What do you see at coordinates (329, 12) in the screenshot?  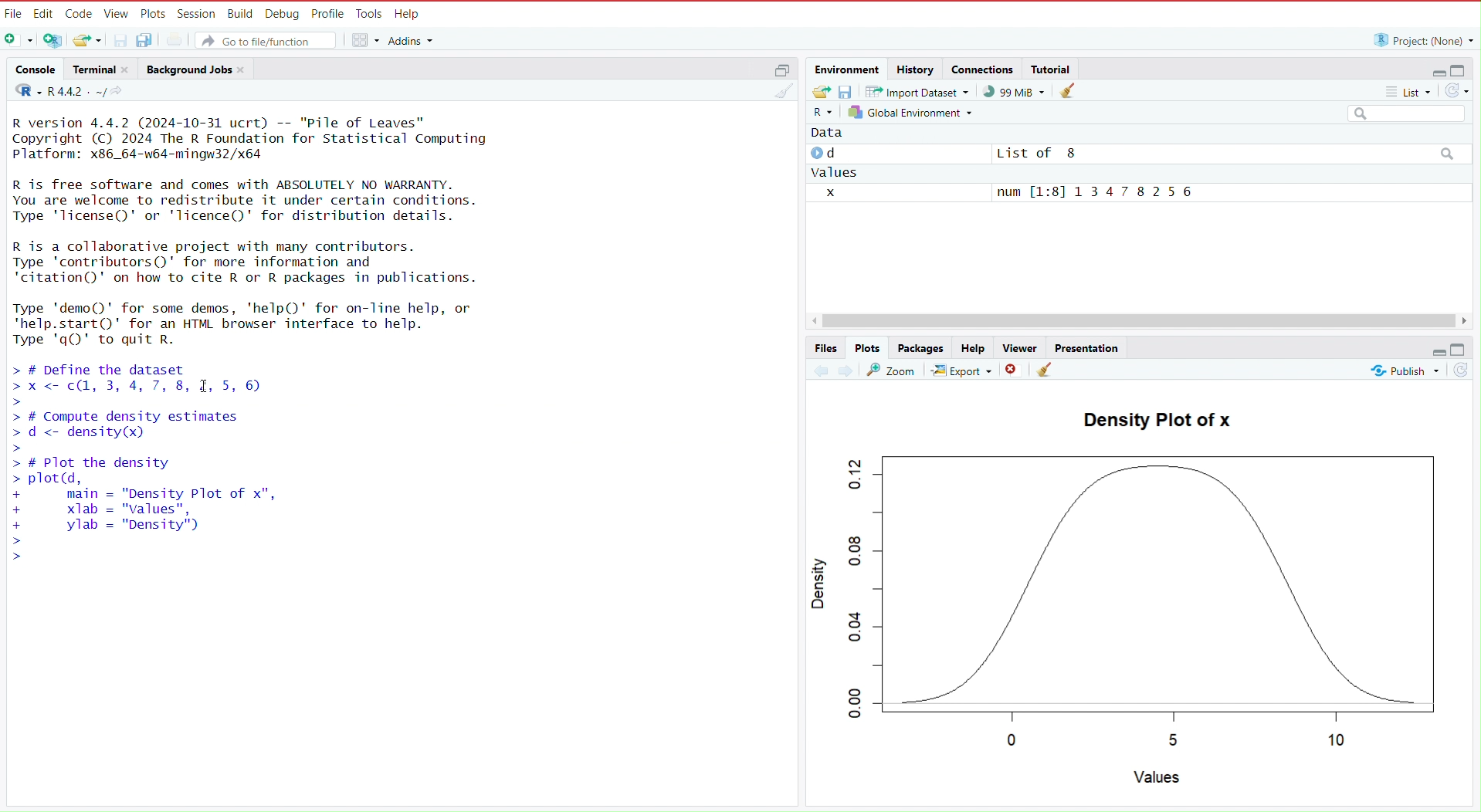 I see `profile` at bounding box center [329, 12].